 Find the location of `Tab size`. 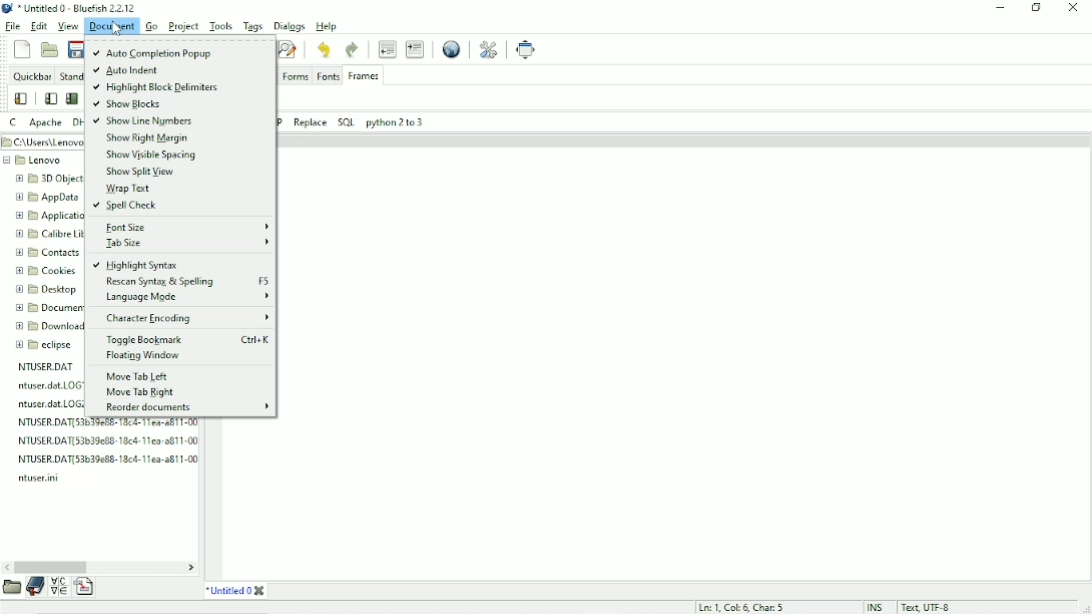

Tab size is located at coordinates (188, 244).